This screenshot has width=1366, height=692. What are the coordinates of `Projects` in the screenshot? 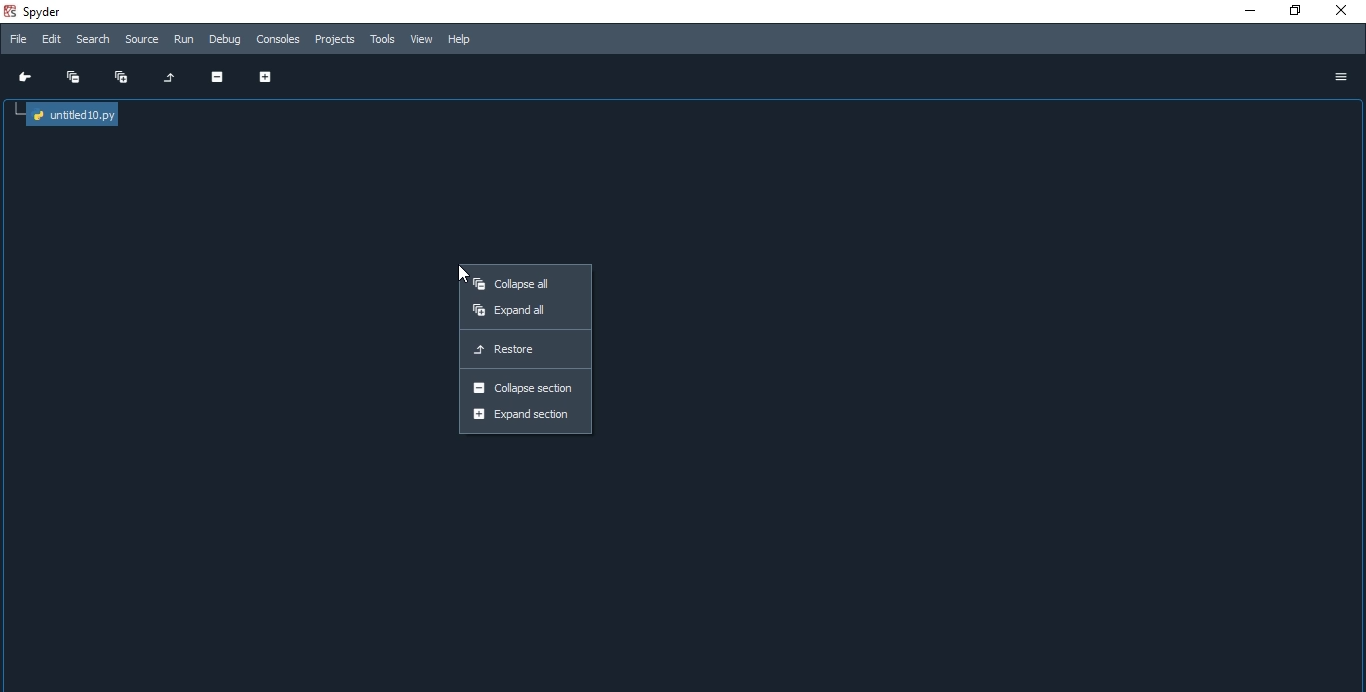 It's located at (334, 40).